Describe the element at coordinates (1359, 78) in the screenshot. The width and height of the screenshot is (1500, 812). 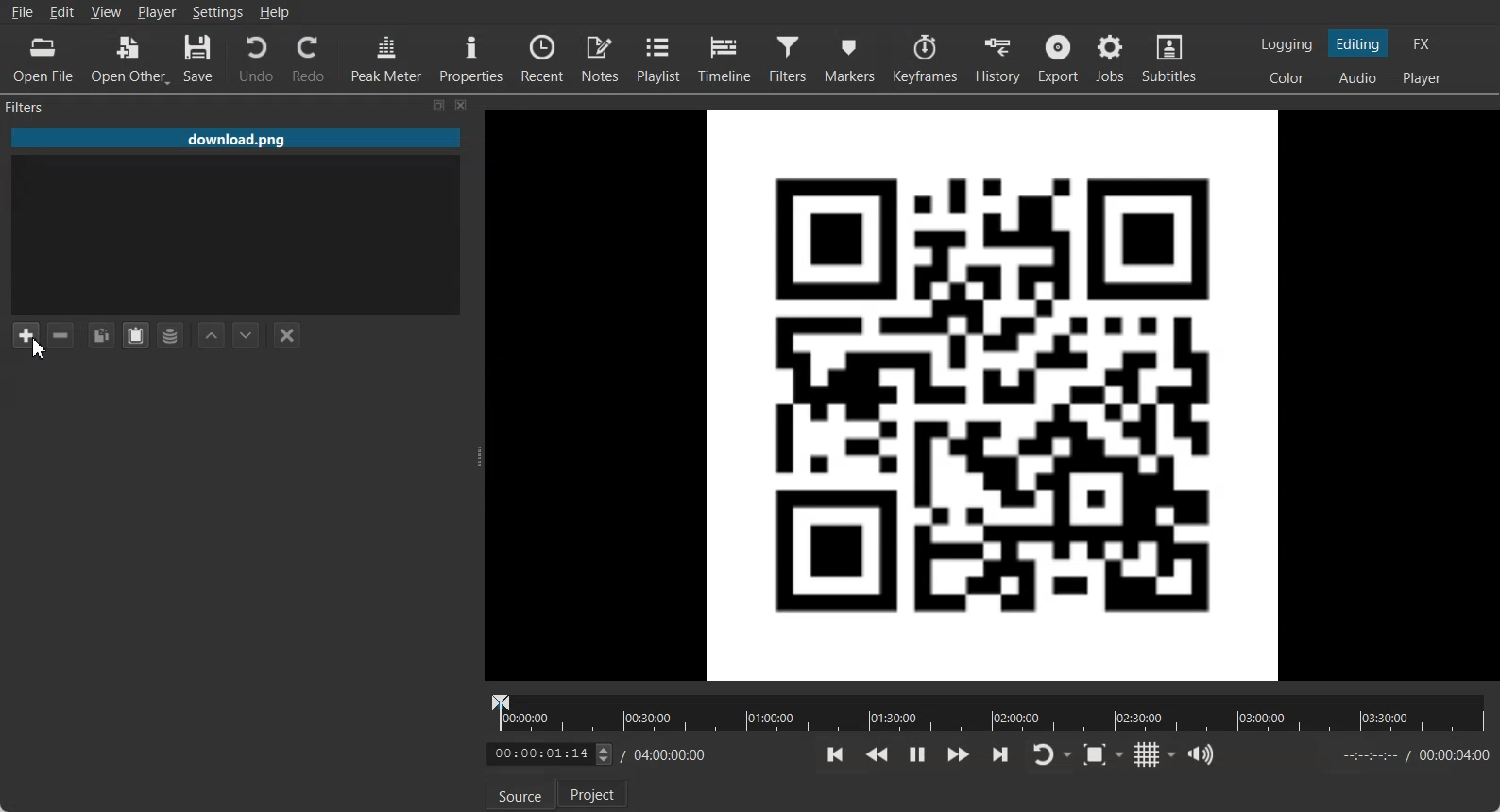
I see `Switching to the Audio layout` at that location.